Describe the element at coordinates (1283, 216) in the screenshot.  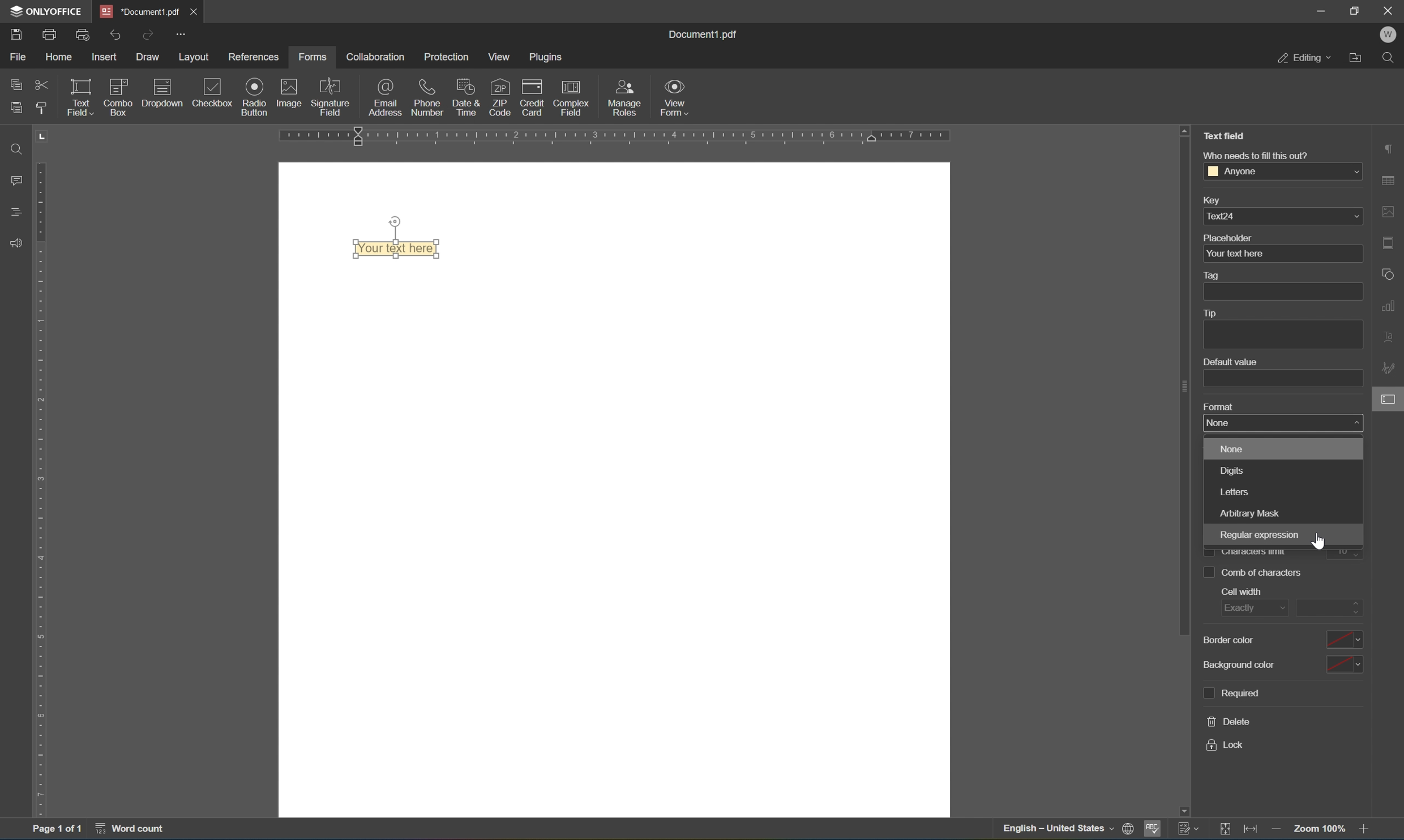
I see `text24` at that location.